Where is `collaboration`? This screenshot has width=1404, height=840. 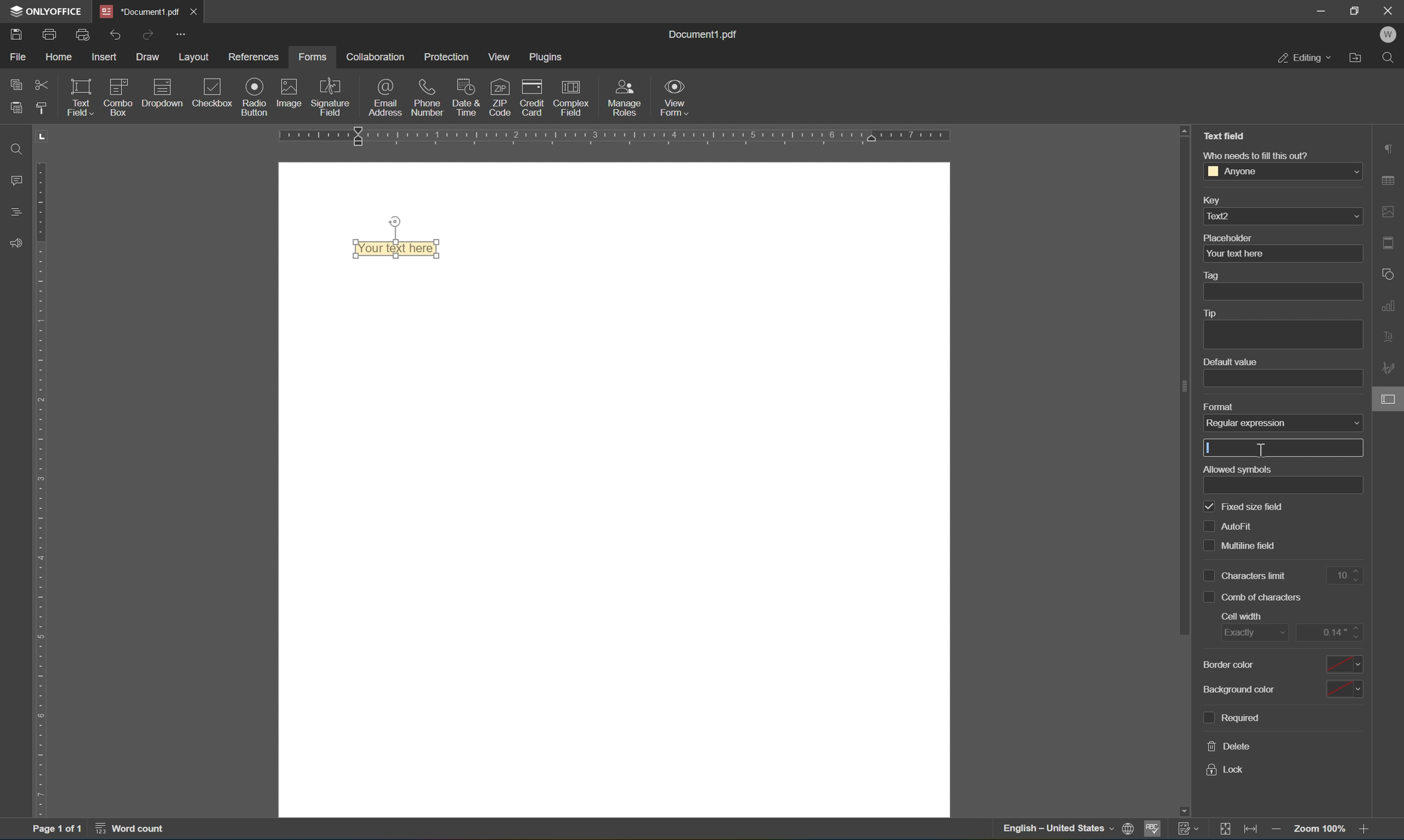 collaboration is located at coordinates (378, 58).